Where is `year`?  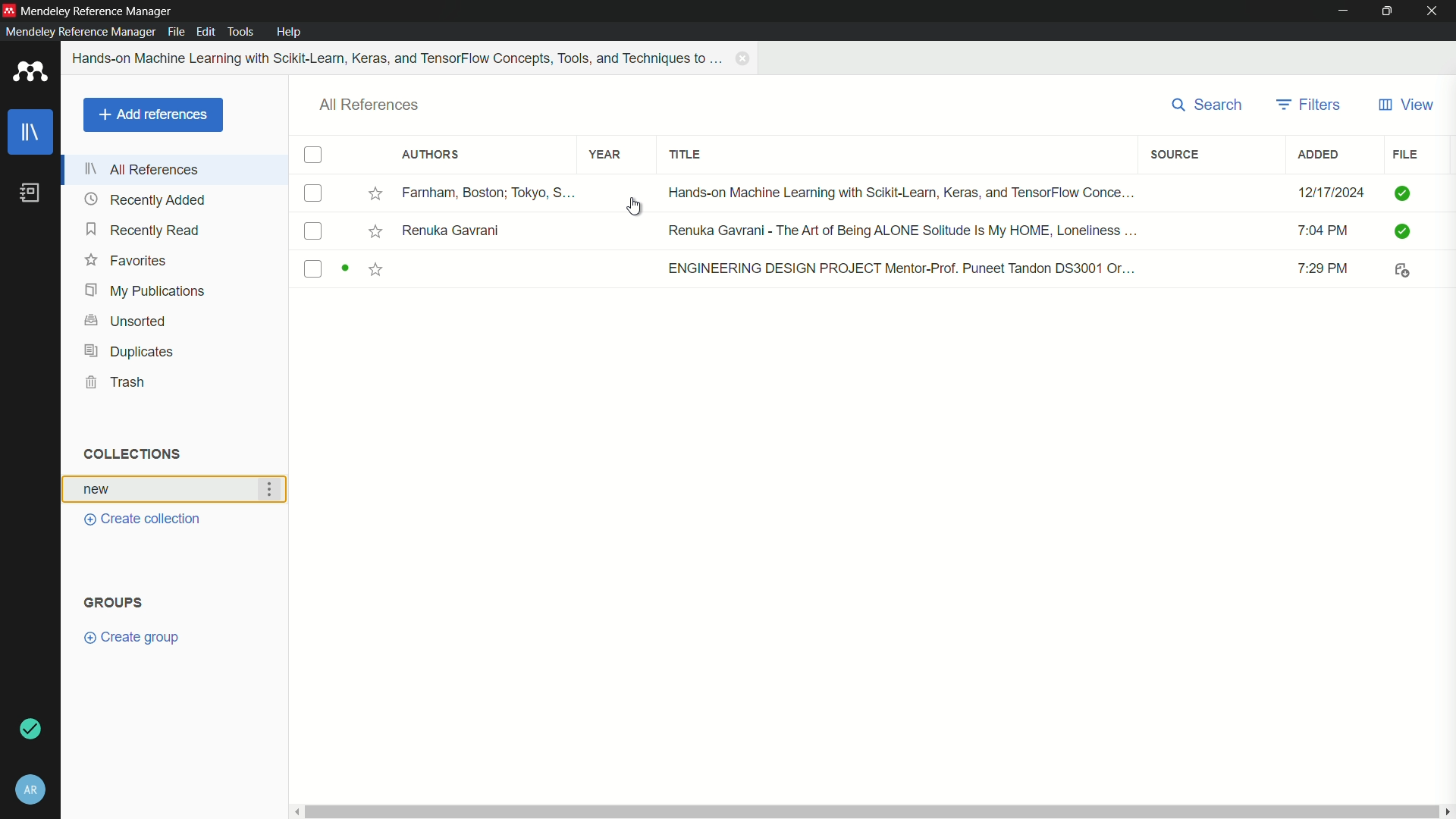 year is located at coordinates (606, 155).